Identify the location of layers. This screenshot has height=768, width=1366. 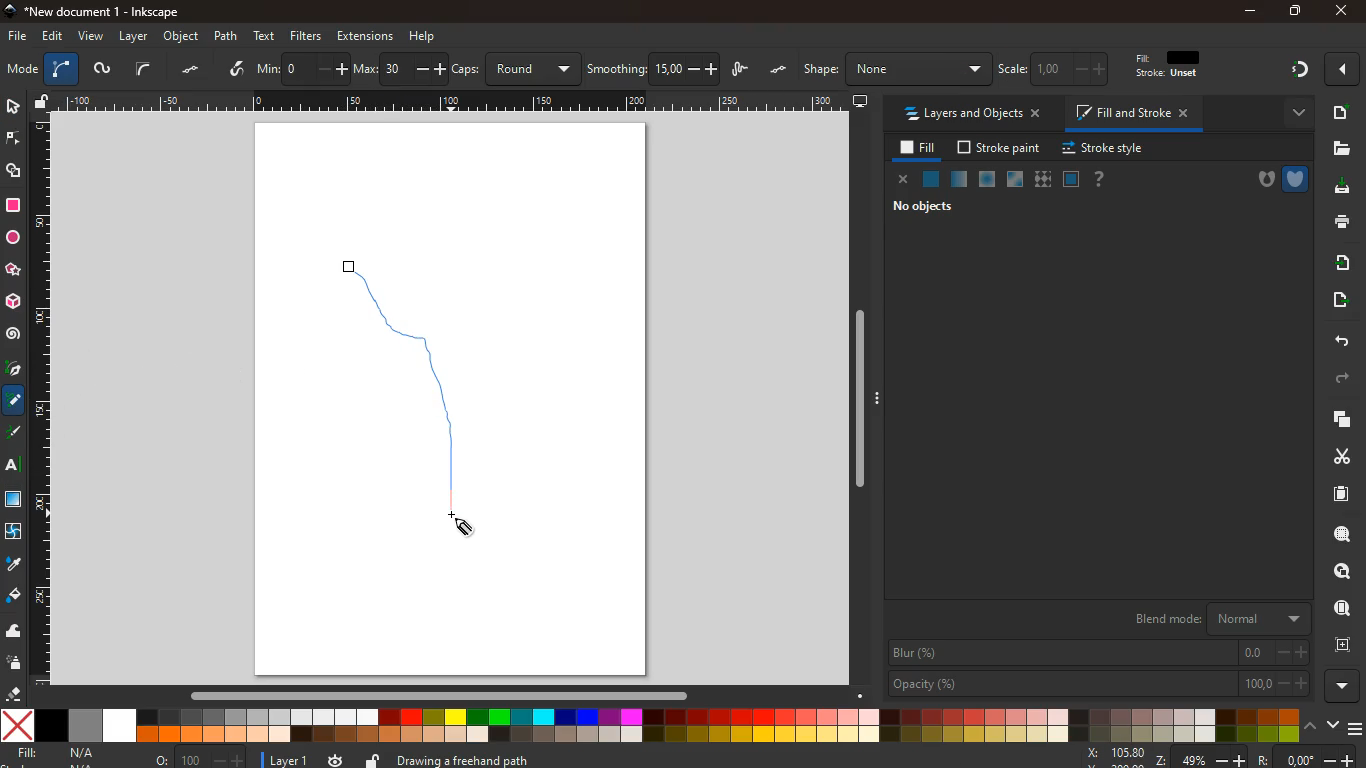
(66, 68).